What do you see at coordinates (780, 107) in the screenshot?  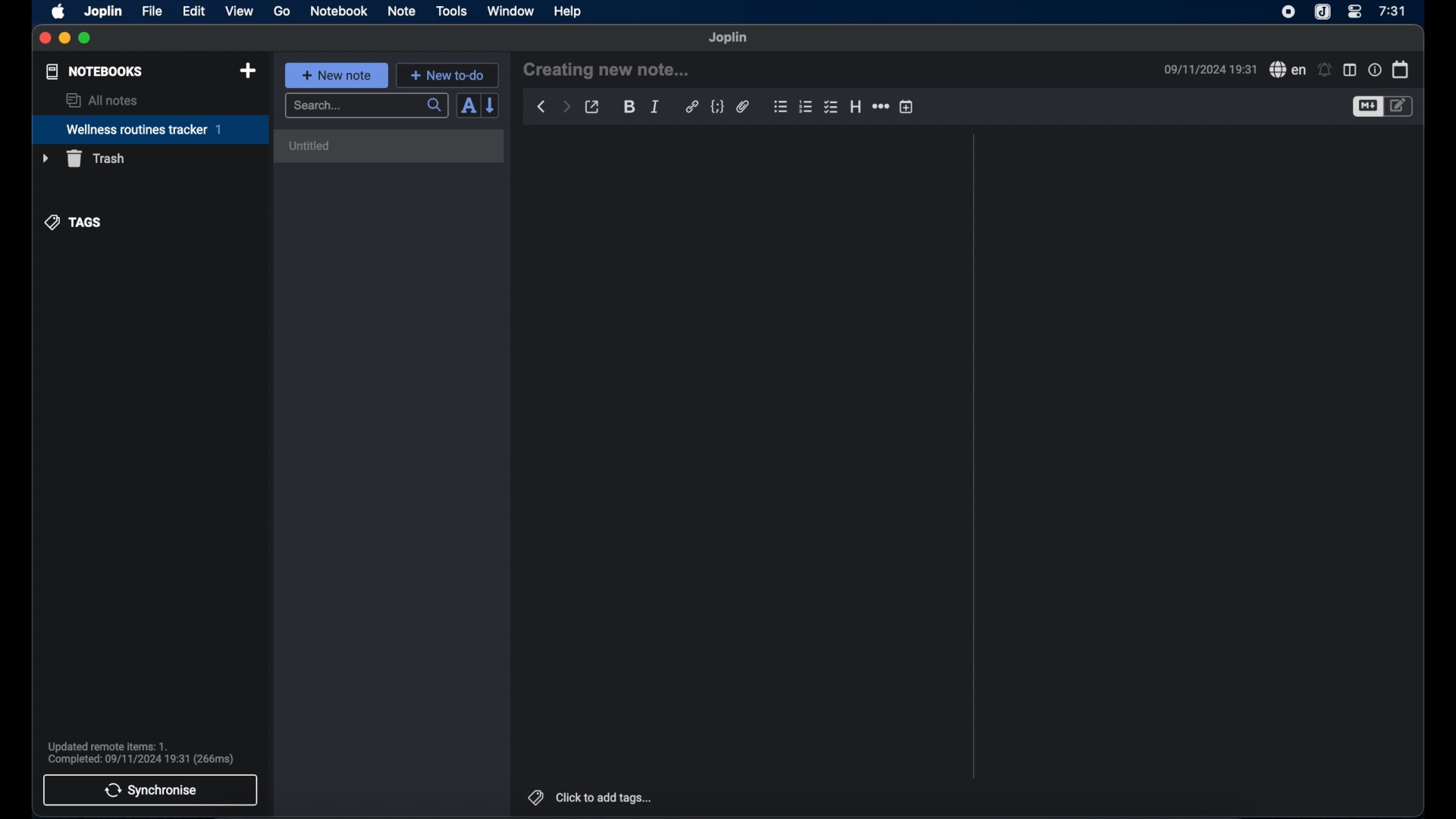 I see `bulleted list` at bounding box center [780, 107].